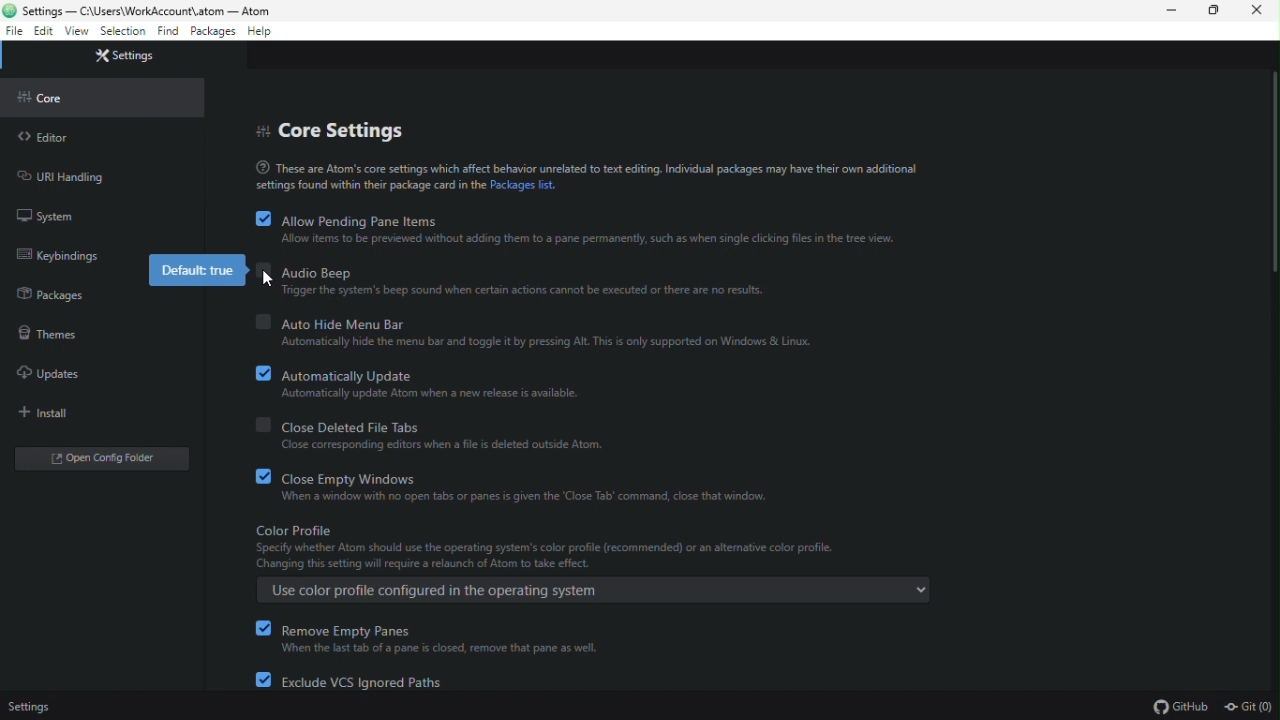  What do you see at coordinates (45, 96) in the screenshot?
I see `core` at bounding box center [45, 96].